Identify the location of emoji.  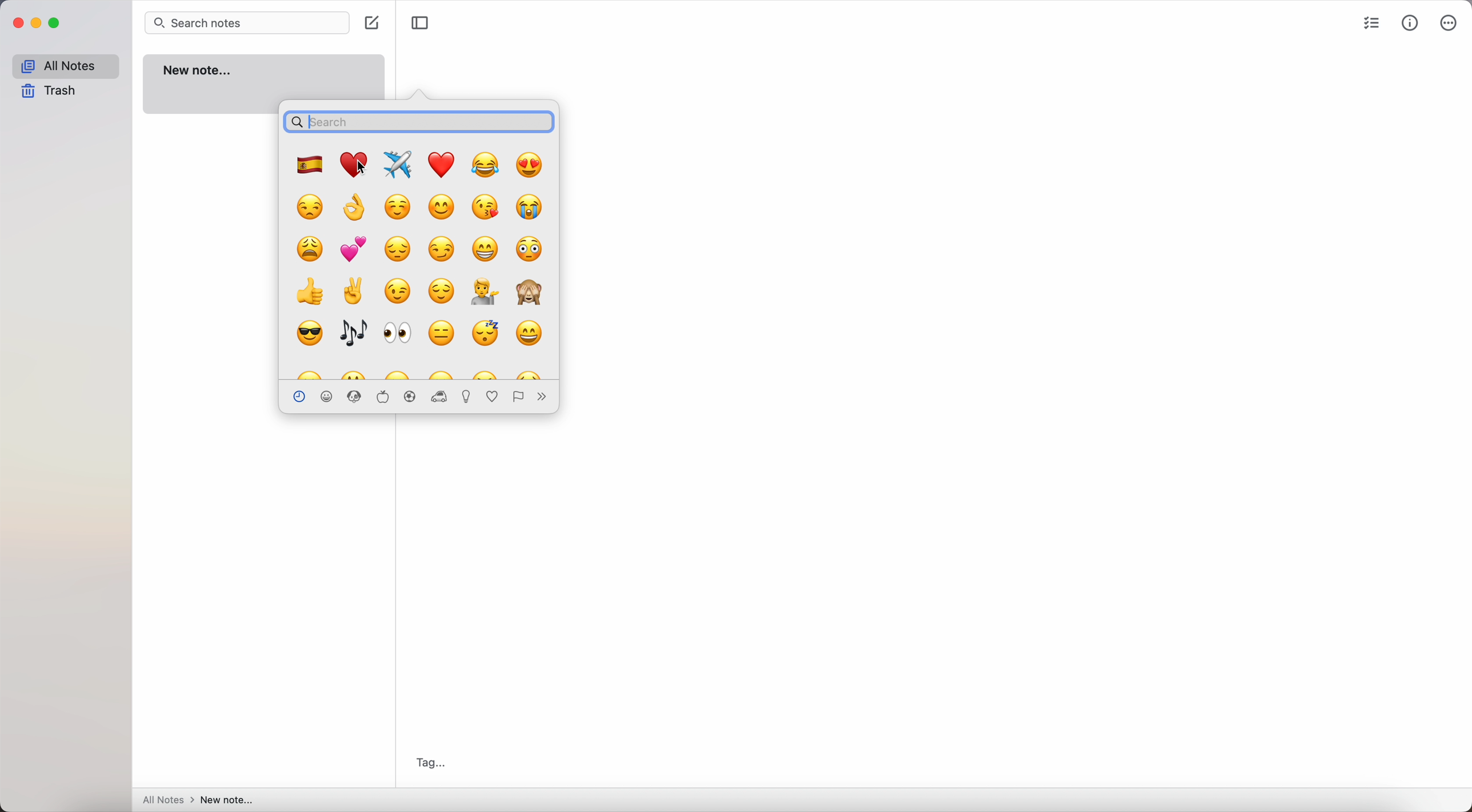
(354, 251).